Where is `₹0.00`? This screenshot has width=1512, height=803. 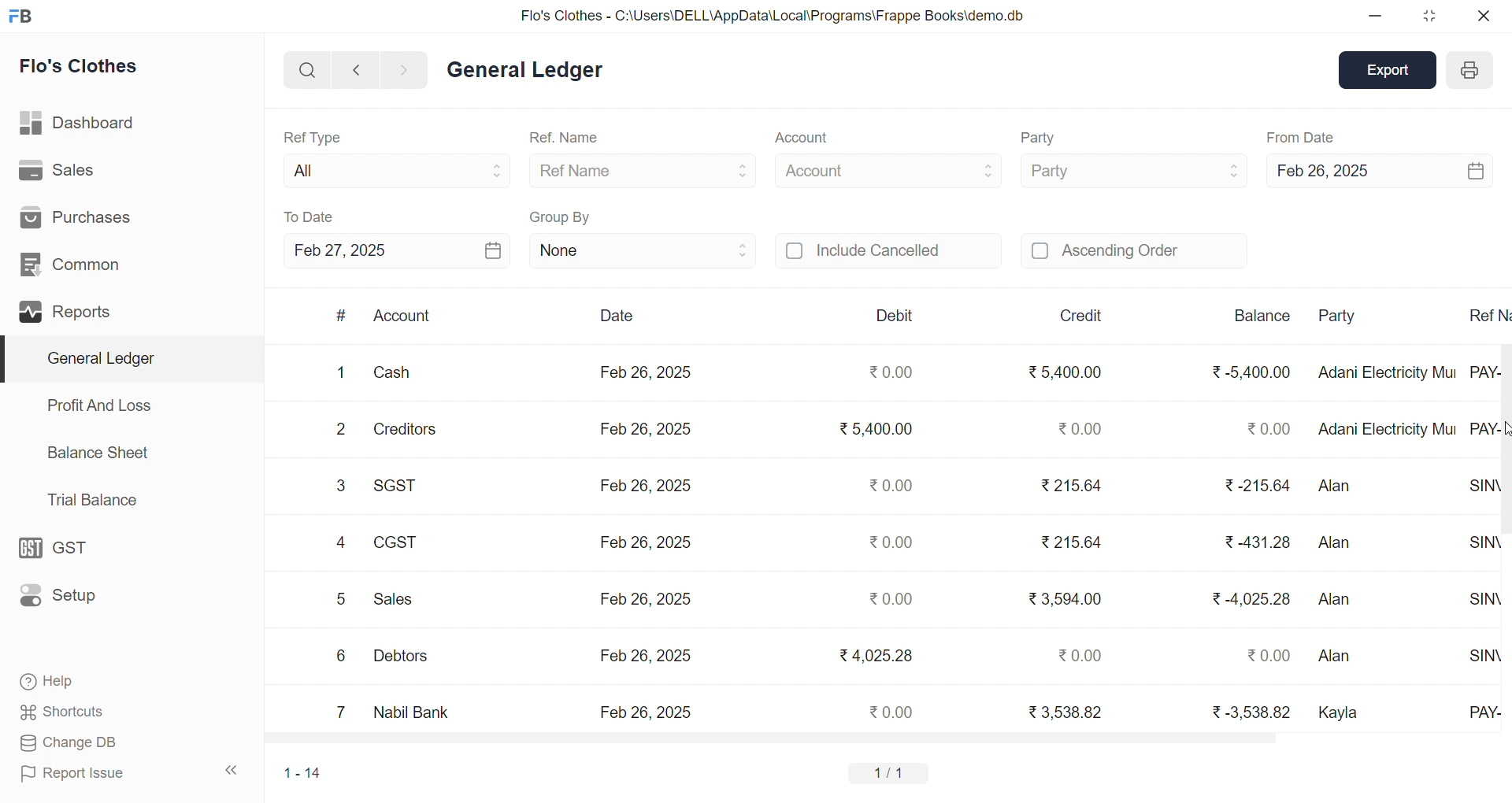 ₹0.00 is located at coordinates (889, 543).